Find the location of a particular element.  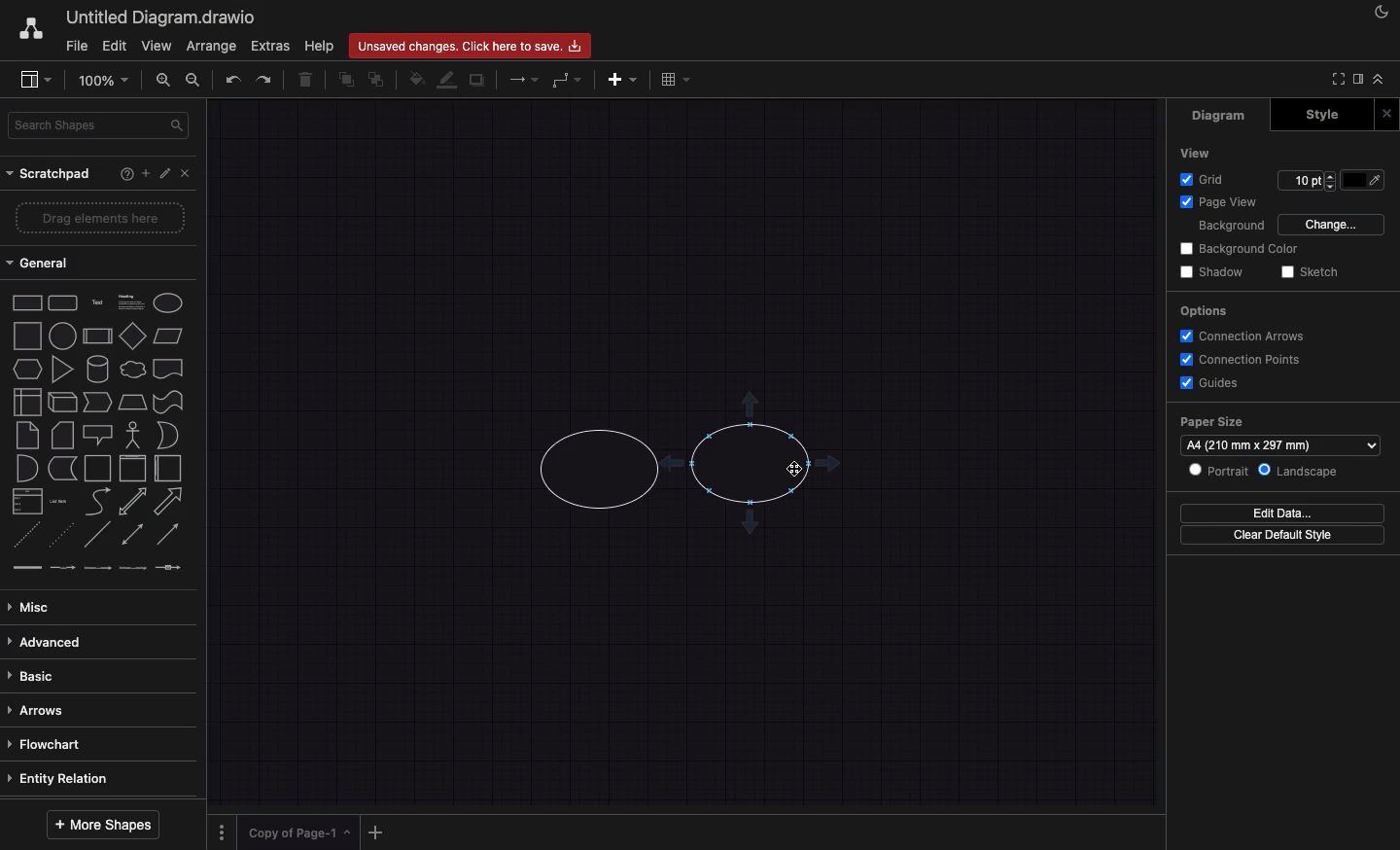

data storage is located at coordinates (61, 468).